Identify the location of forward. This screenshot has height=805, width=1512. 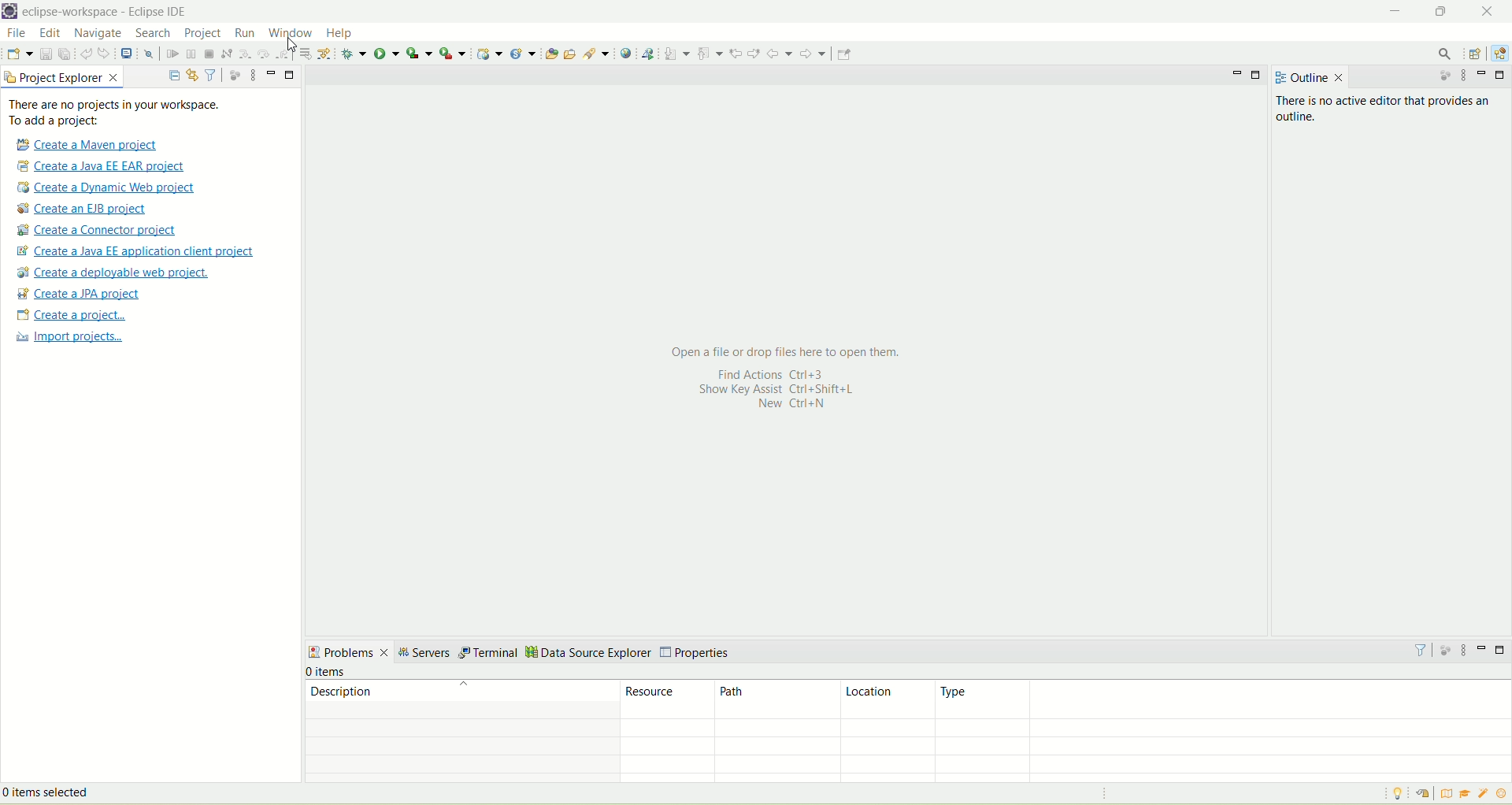
(812, 54).